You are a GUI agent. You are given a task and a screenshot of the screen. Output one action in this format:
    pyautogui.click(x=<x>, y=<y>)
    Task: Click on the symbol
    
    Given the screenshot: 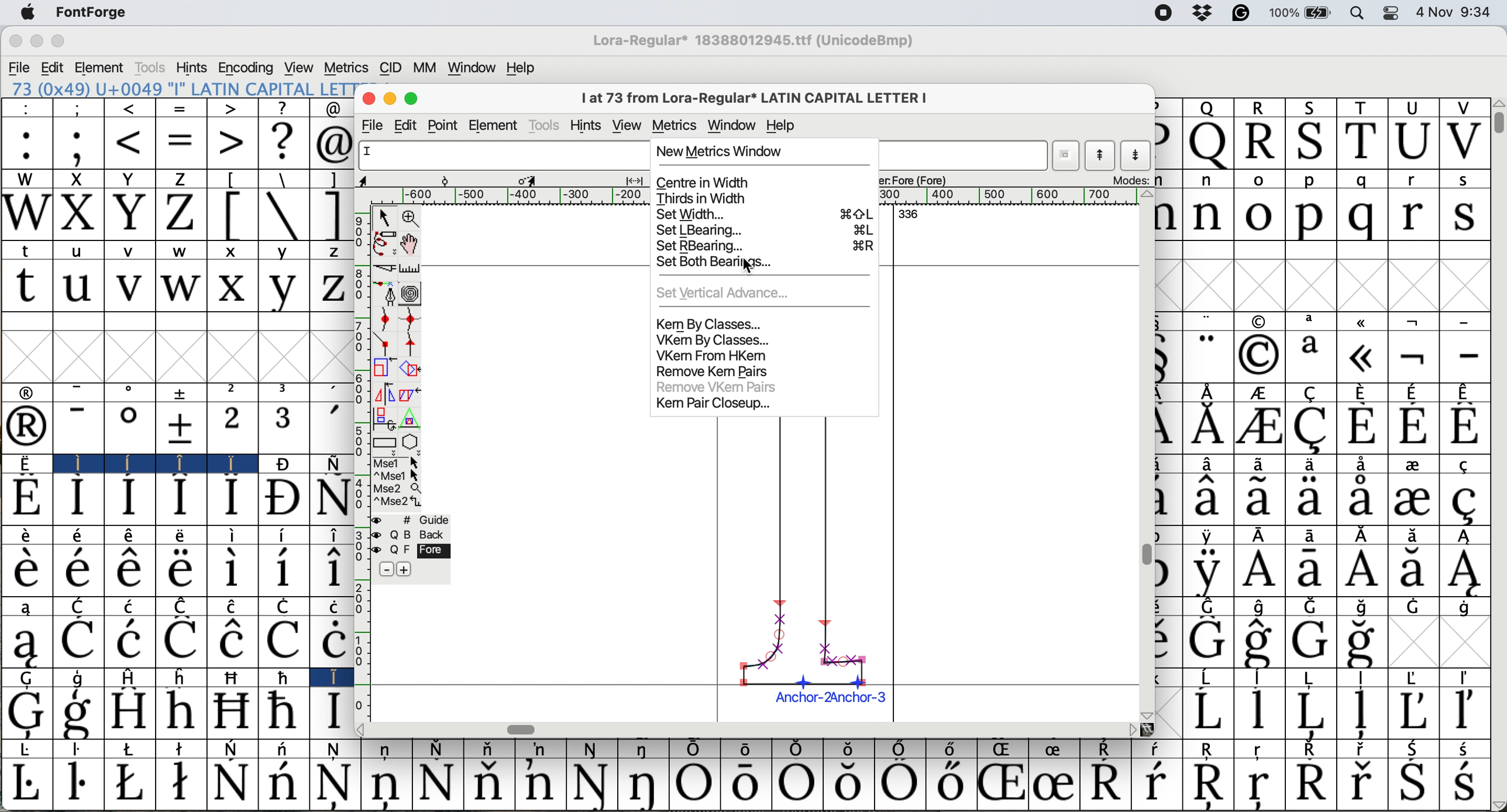 What is the action you would take?
    pyautogui.click(x=1365, y=321)
    